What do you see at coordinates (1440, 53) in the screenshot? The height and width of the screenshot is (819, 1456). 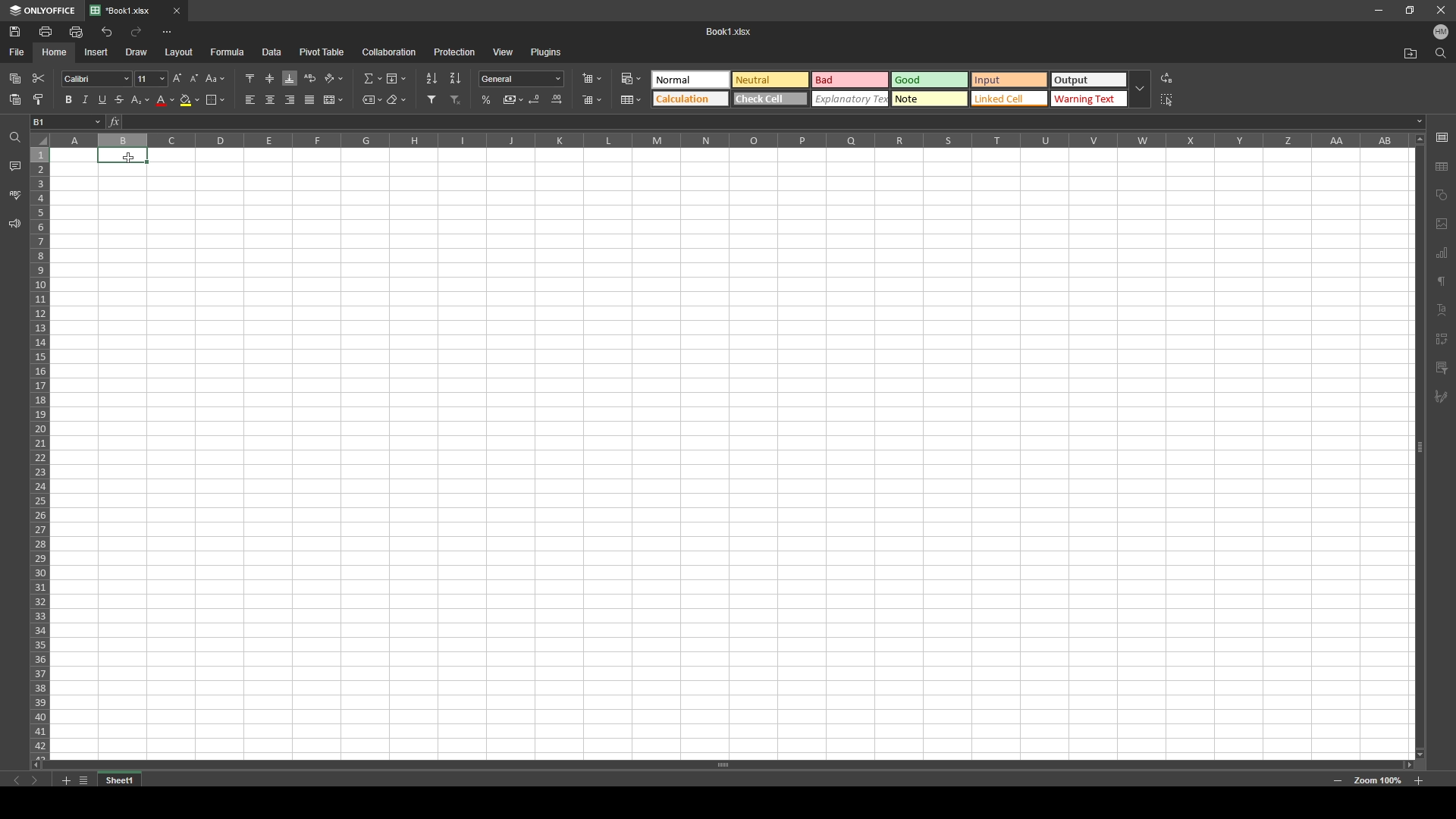 I see `search` at bounding box center [1440, 53].